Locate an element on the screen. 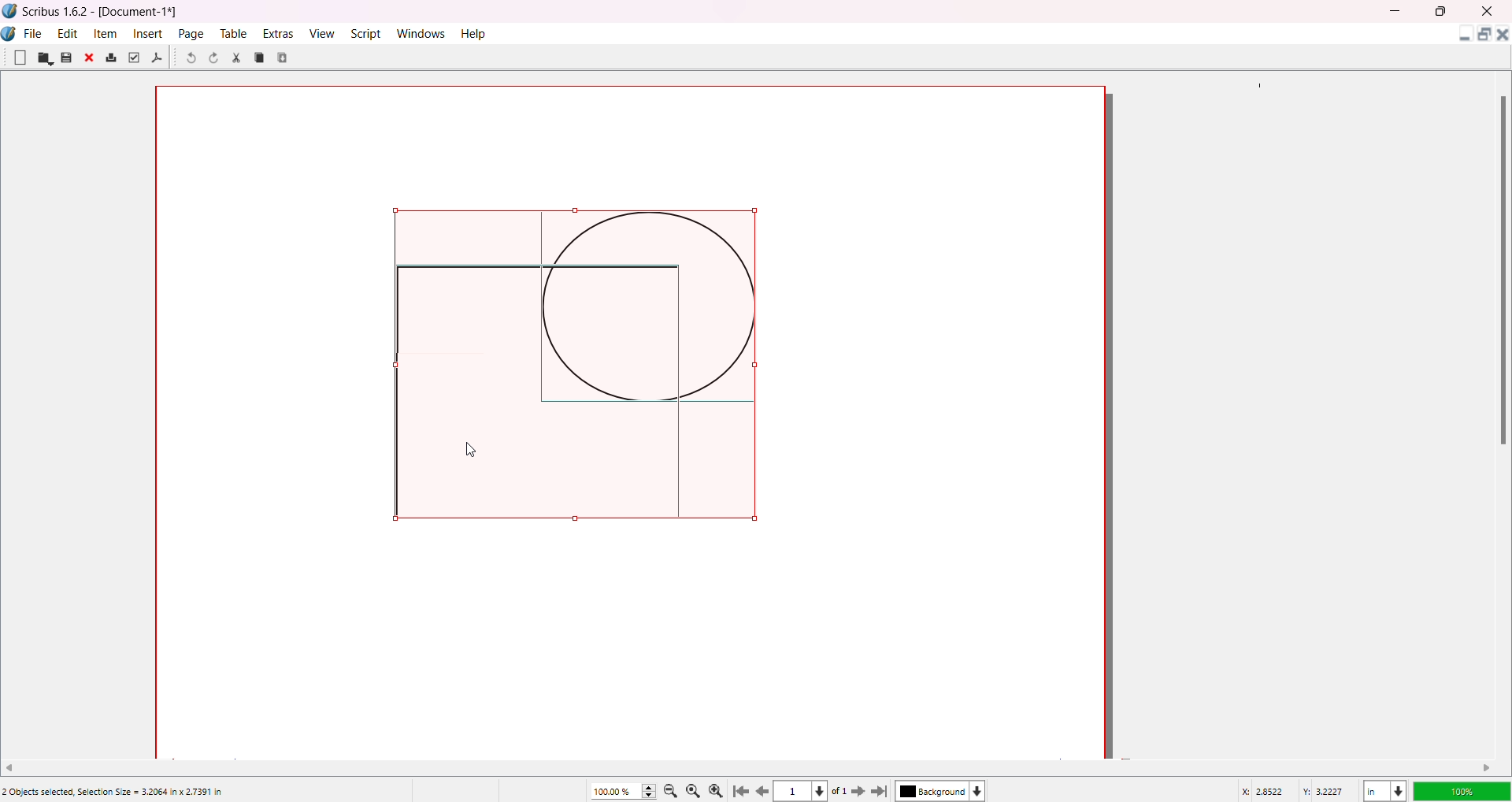 The width and height of the screenshot is (1512, 802). Preflight Verifier is located at coordinates (133, 58).